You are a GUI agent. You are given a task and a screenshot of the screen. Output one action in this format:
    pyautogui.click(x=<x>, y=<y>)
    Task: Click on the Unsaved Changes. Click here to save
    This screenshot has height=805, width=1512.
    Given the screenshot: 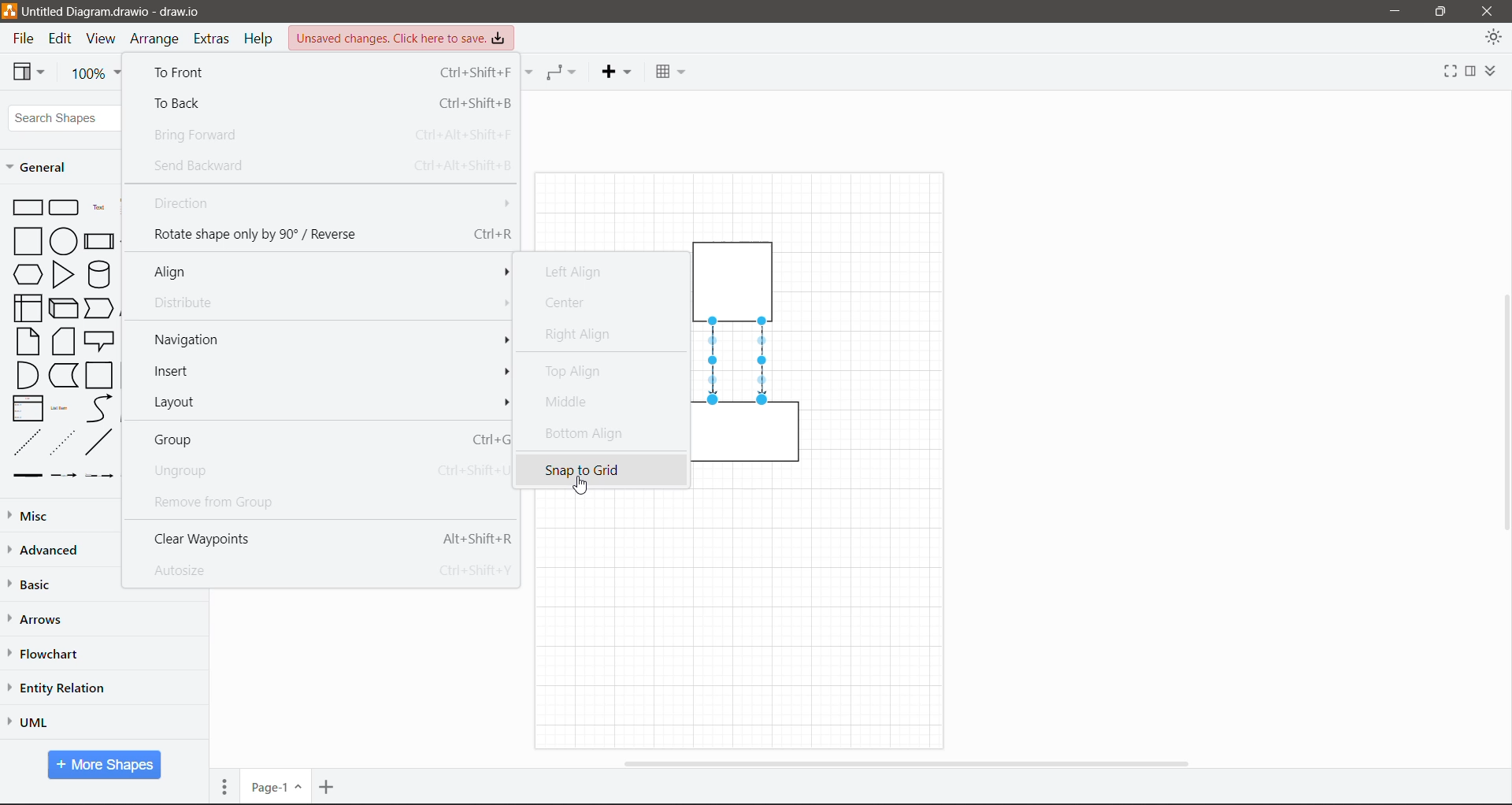 What is the action you would take?
    pyautogui.click(x=402, y=38)
    